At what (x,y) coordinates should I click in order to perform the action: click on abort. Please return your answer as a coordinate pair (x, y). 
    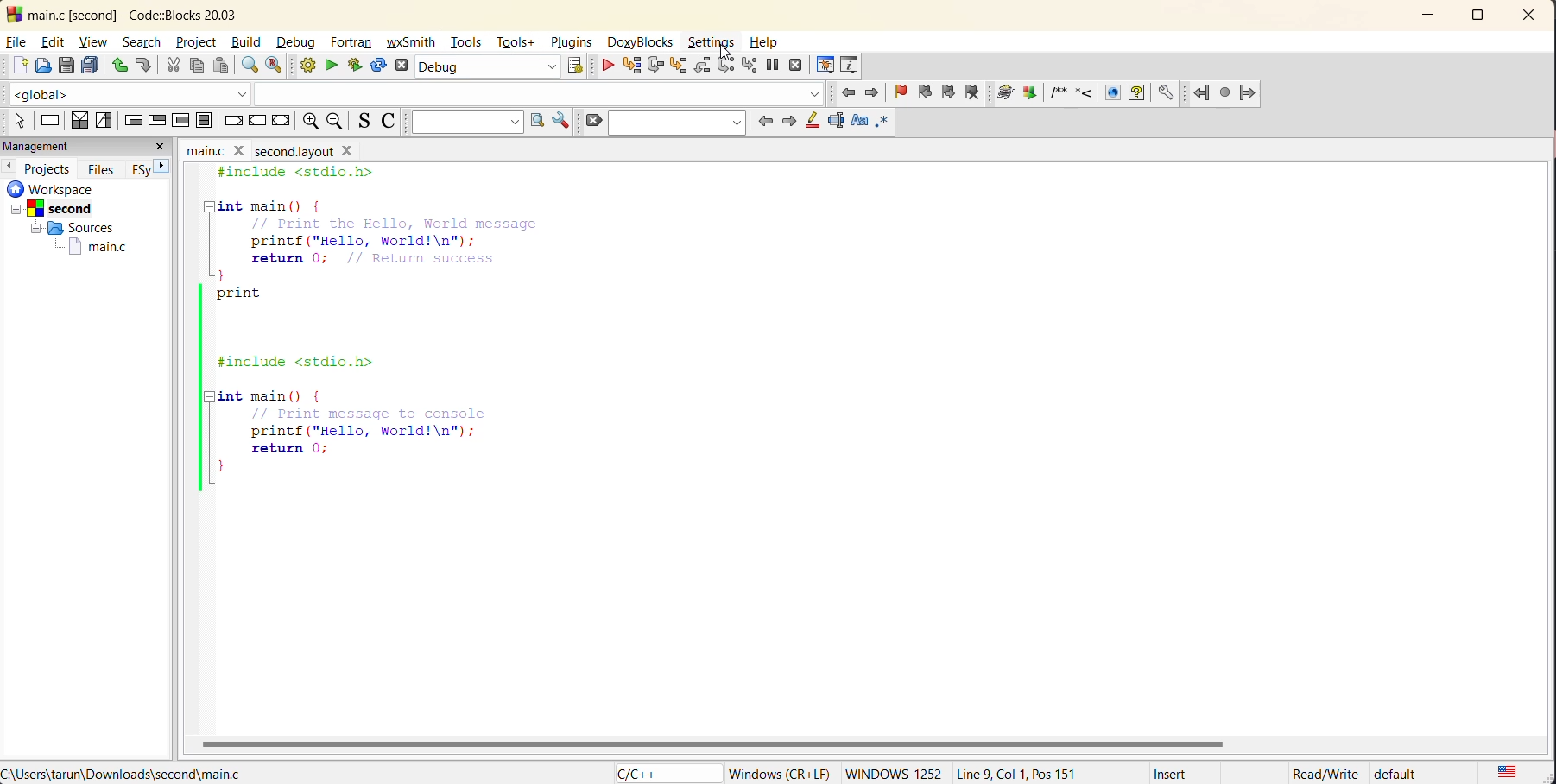
    Looking at the image, I should click on (405, 66).